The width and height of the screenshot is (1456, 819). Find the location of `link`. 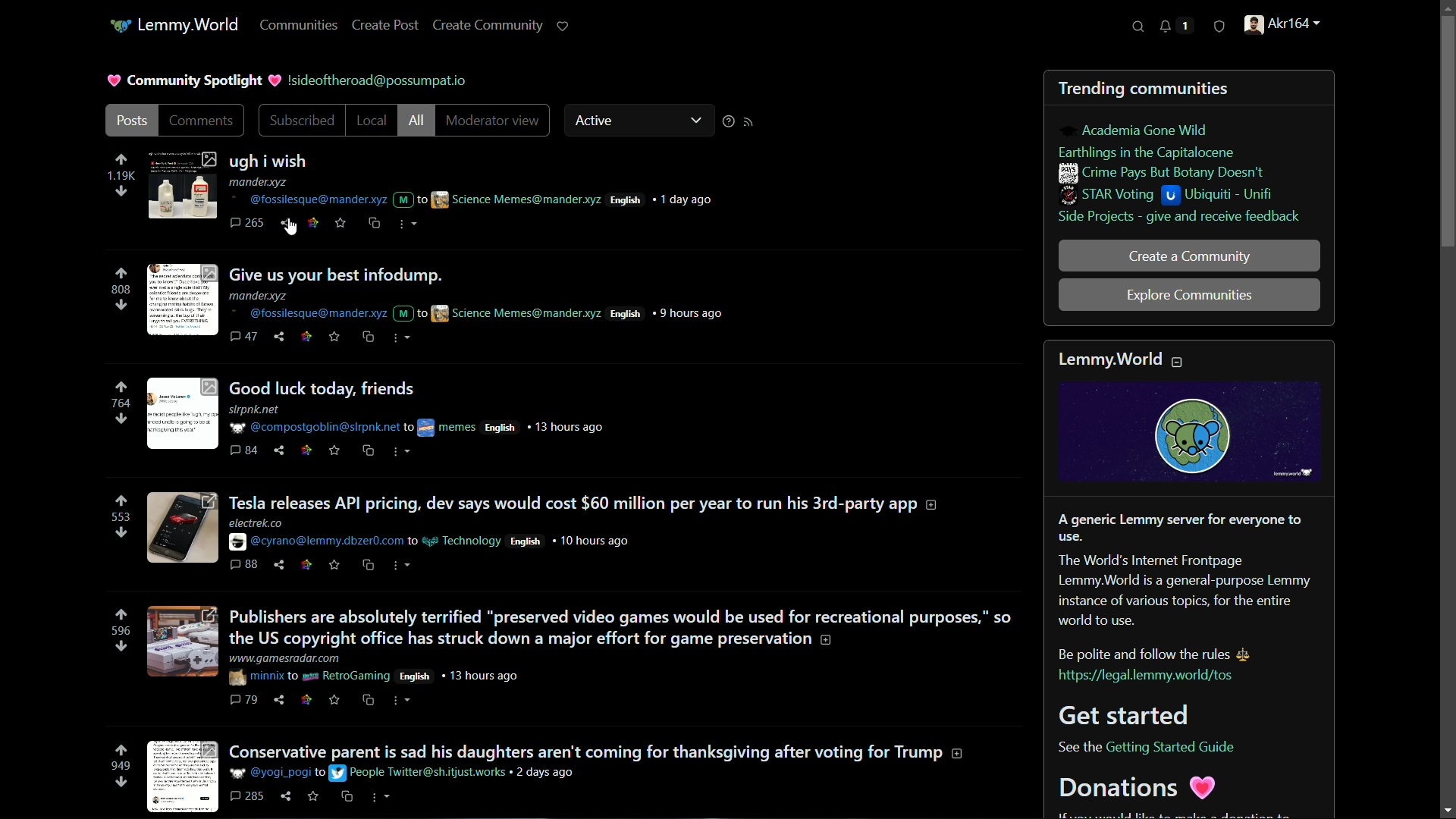

link is located at coordinates (307, 337).